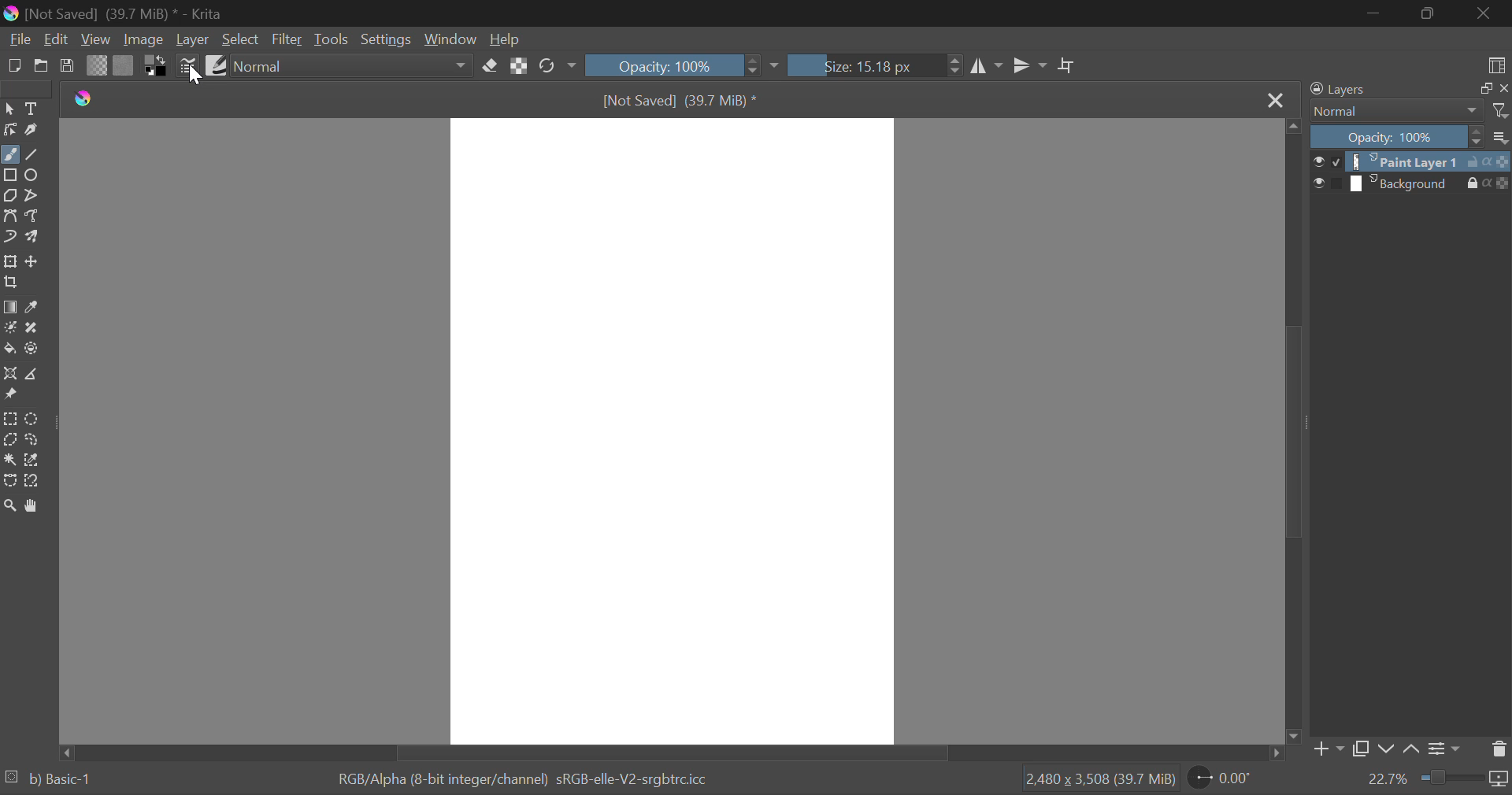  Describe the element at coordinates (124, 65) in the screenshot. I see `Pattern` at that location.